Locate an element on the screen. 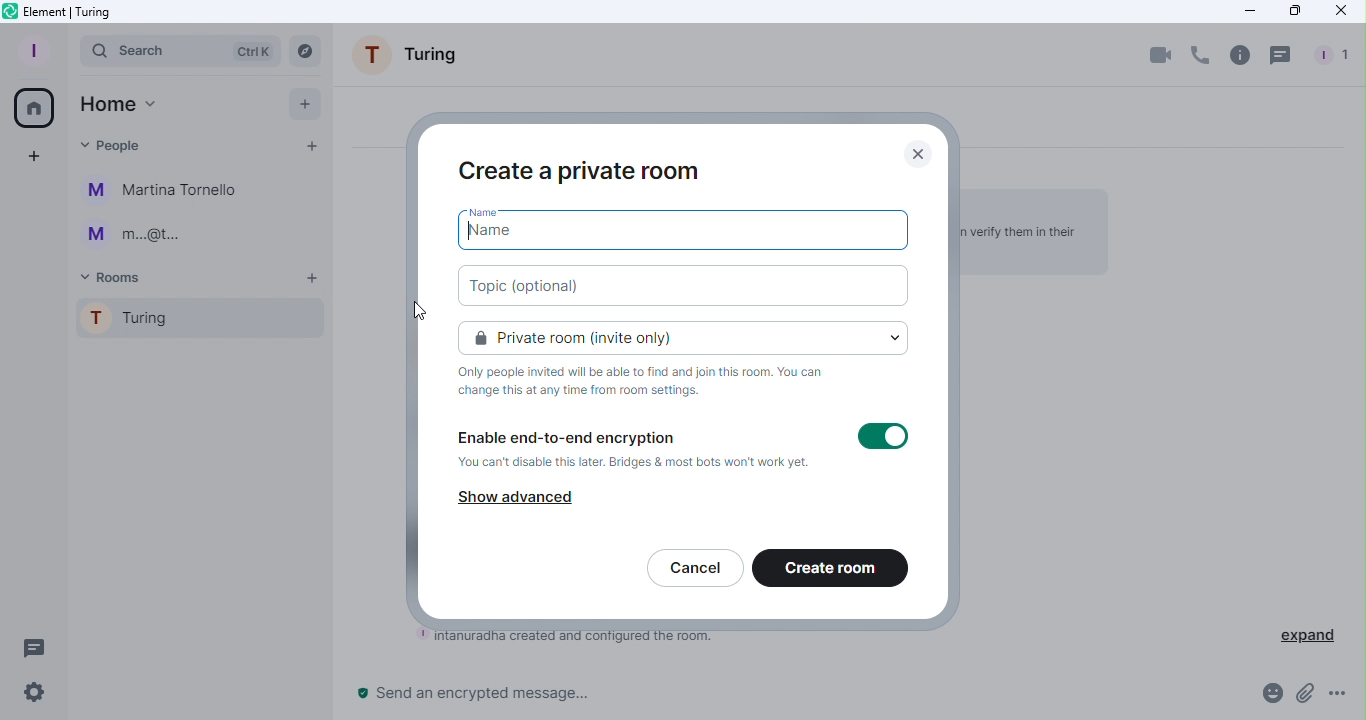 This screenshot has width=1366, height=720. Name is located at coordinates (494, 213).